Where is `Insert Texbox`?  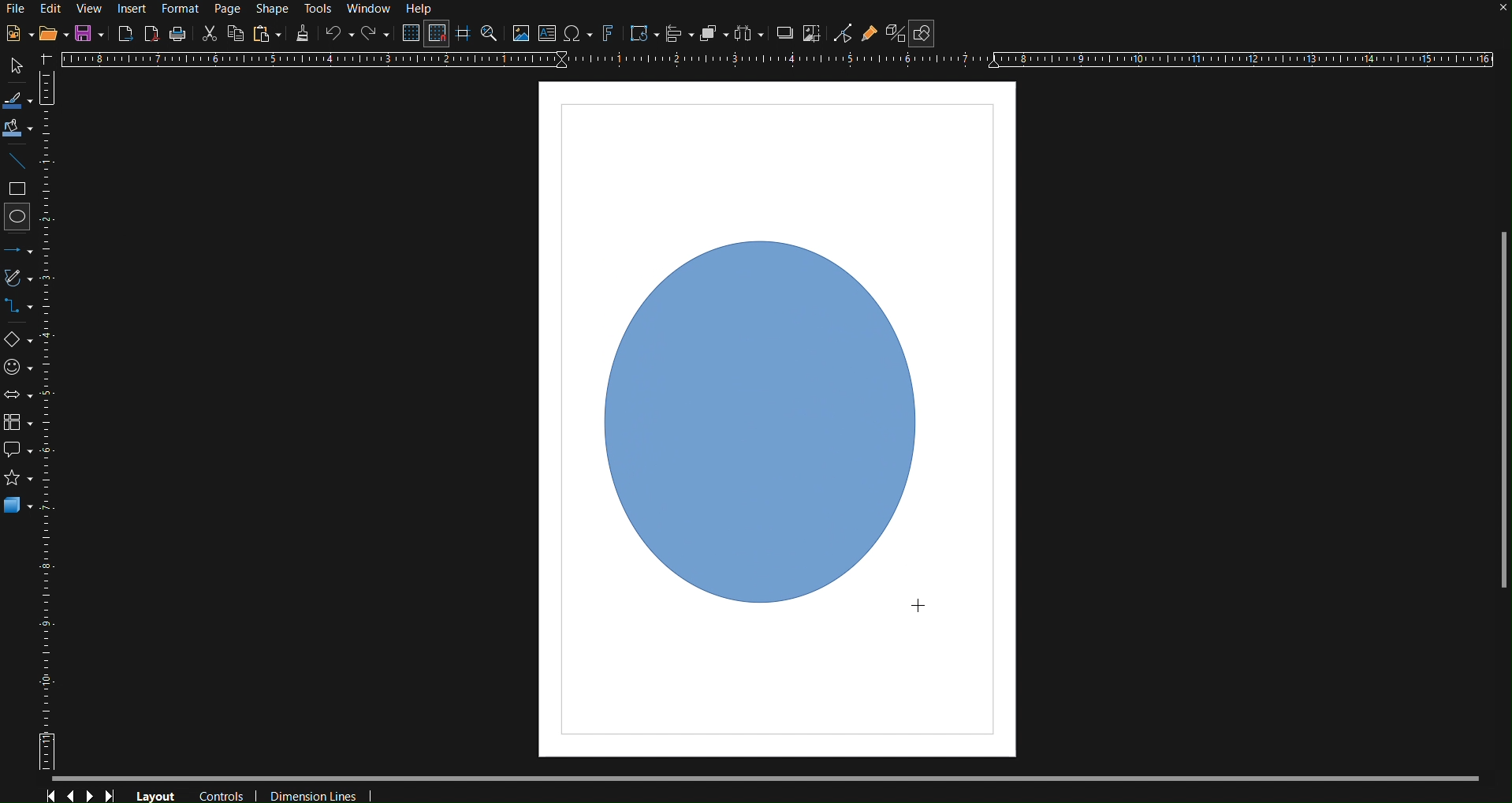 Insert Texbox is located at coordinates (546, 35).